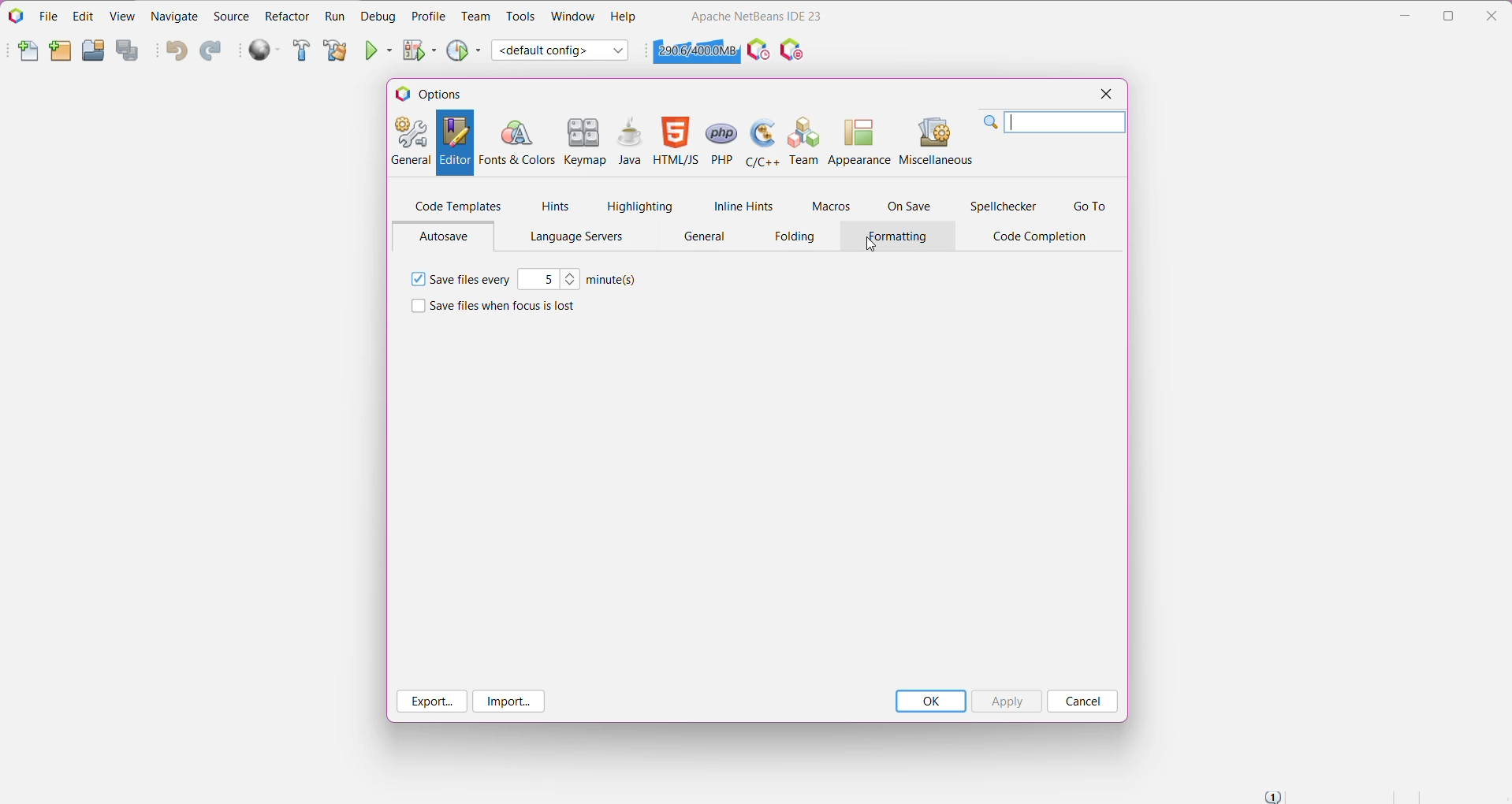  What do you see at coordinates (415, 307) in the screenshot?
I see `check box` at bounding box center [415, 307].